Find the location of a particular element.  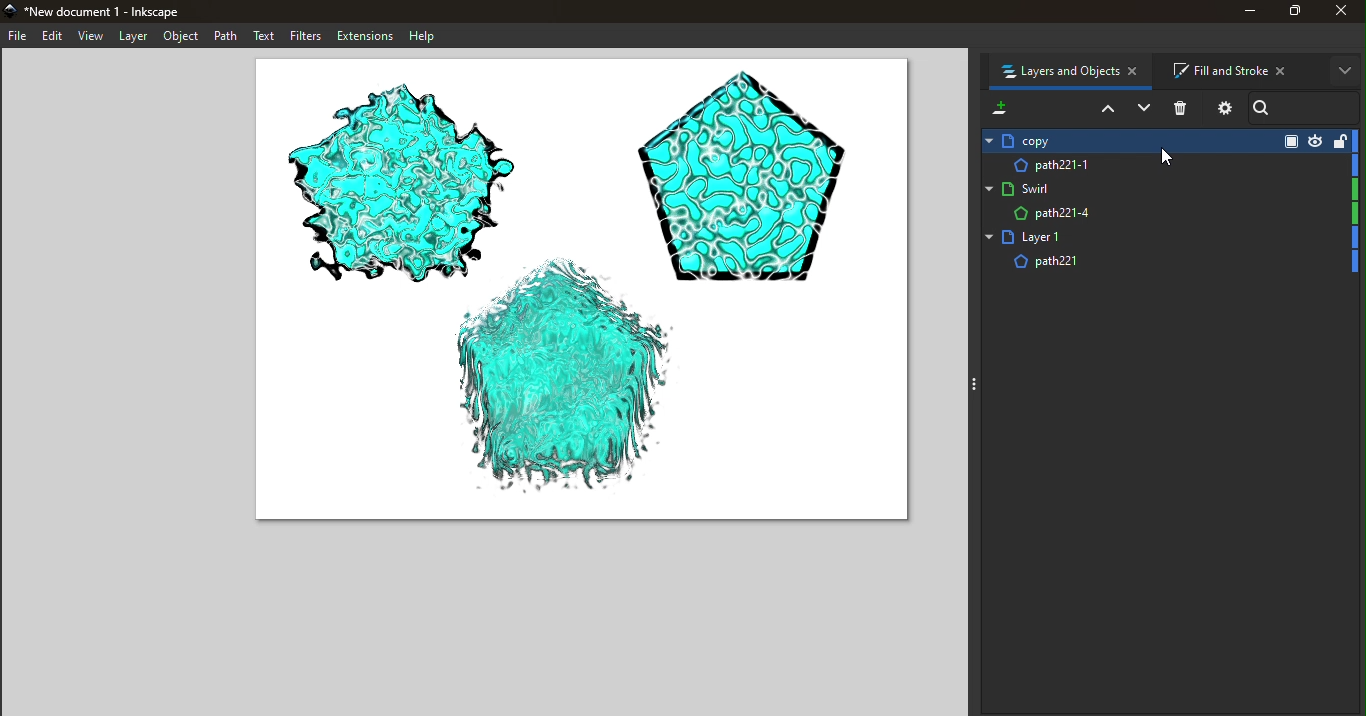

Delete selected item is located at coordinates (1183, 108).